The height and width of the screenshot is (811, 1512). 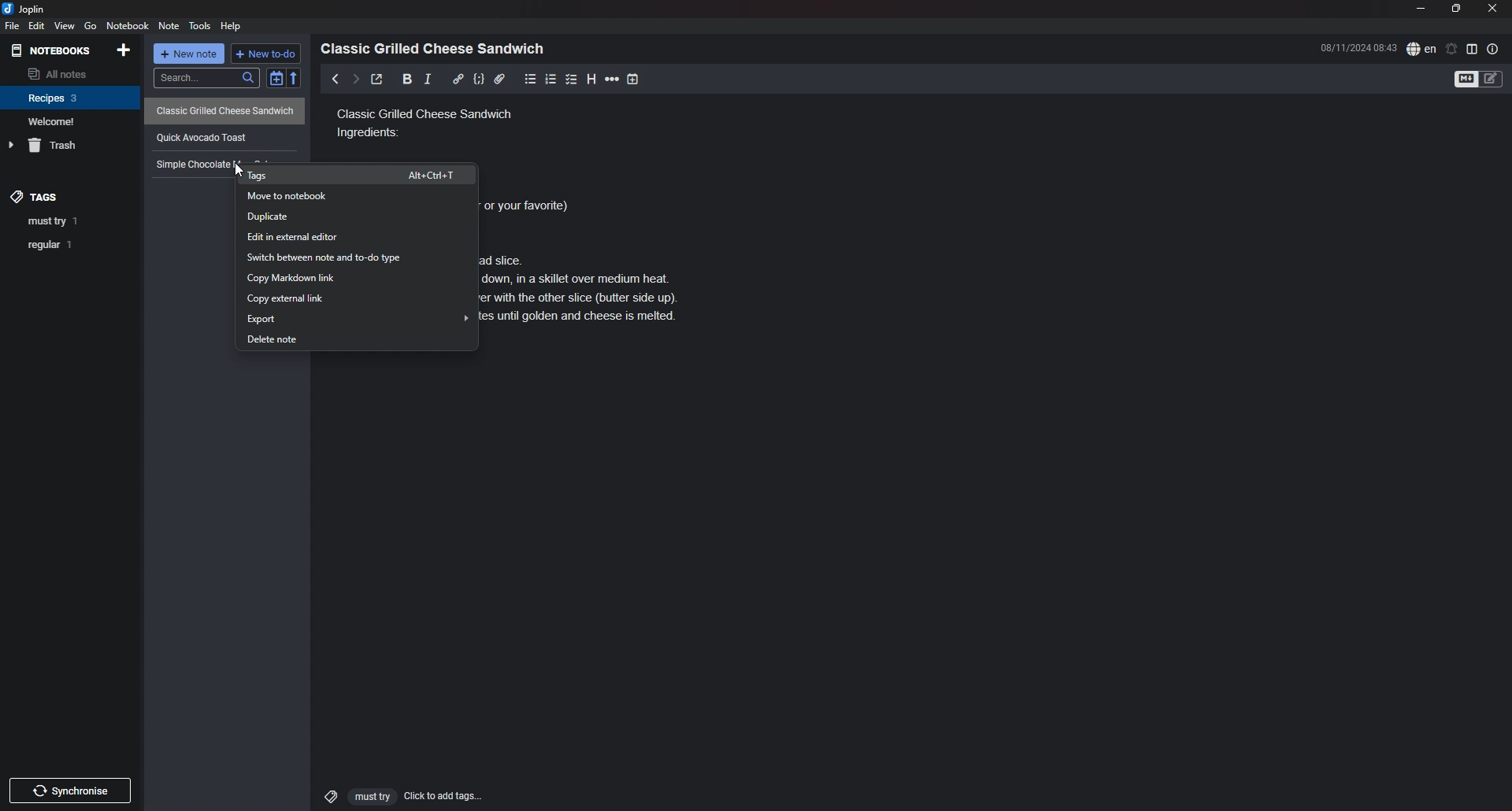 What do you see at coordinates (210, 134) in the screenshot?
I see `quick avocado toast` at bounding box center [210, 134].